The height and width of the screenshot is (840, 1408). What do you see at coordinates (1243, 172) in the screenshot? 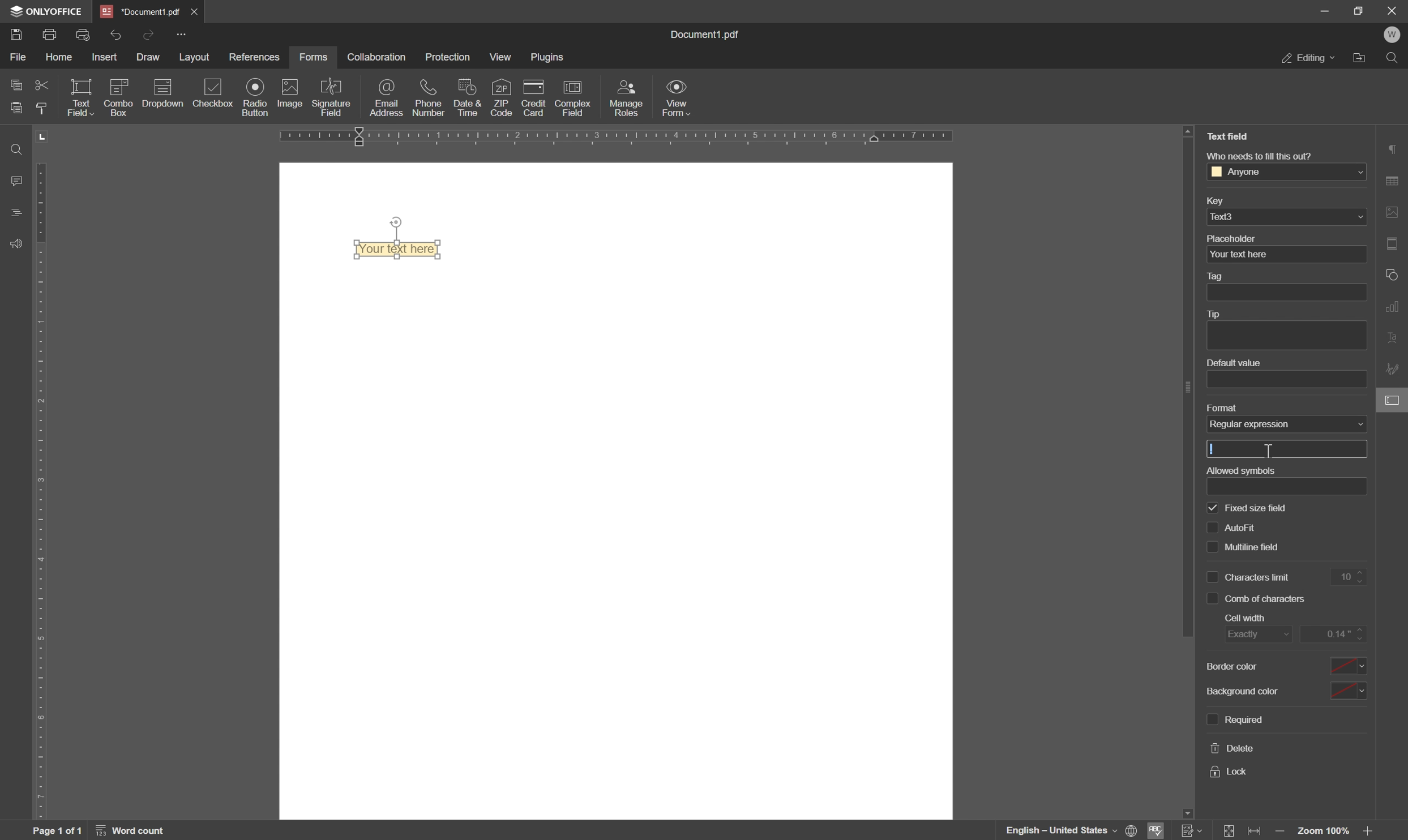
I see `anyone` at bounding box center [1243, 172].